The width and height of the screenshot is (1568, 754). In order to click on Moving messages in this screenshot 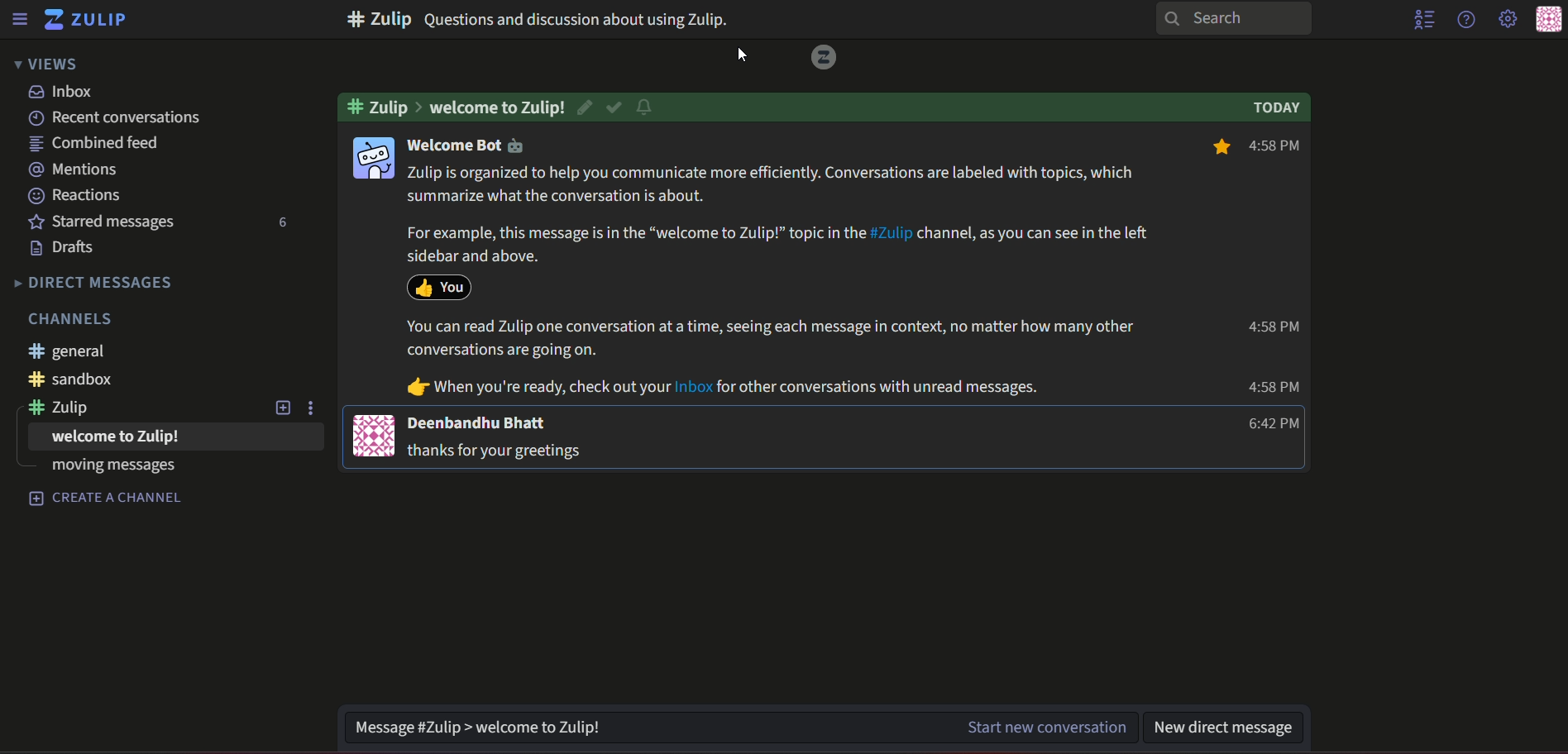, I will do `click(110, 467)`.